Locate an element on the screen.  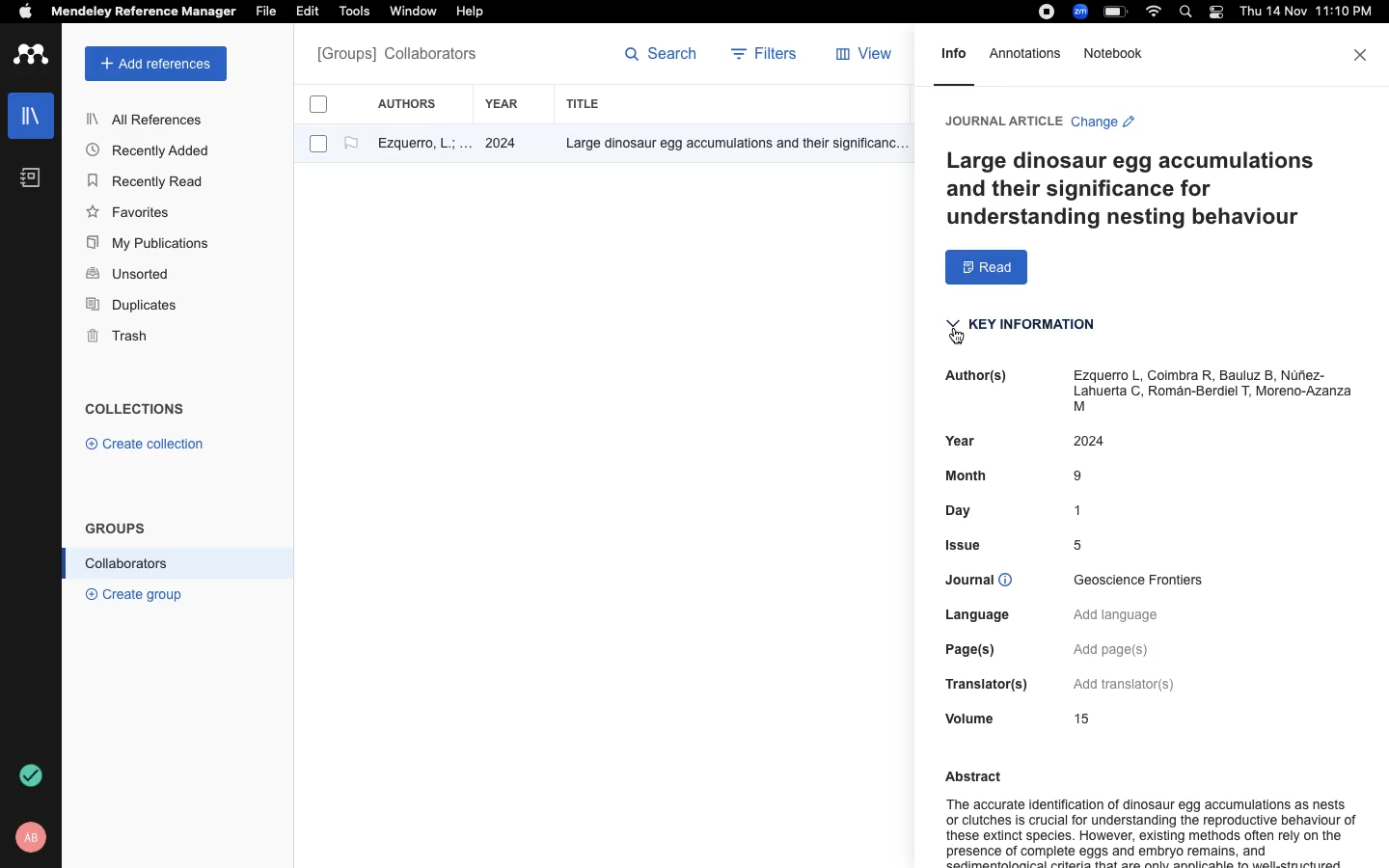
title is located at coordinates (586, 103).